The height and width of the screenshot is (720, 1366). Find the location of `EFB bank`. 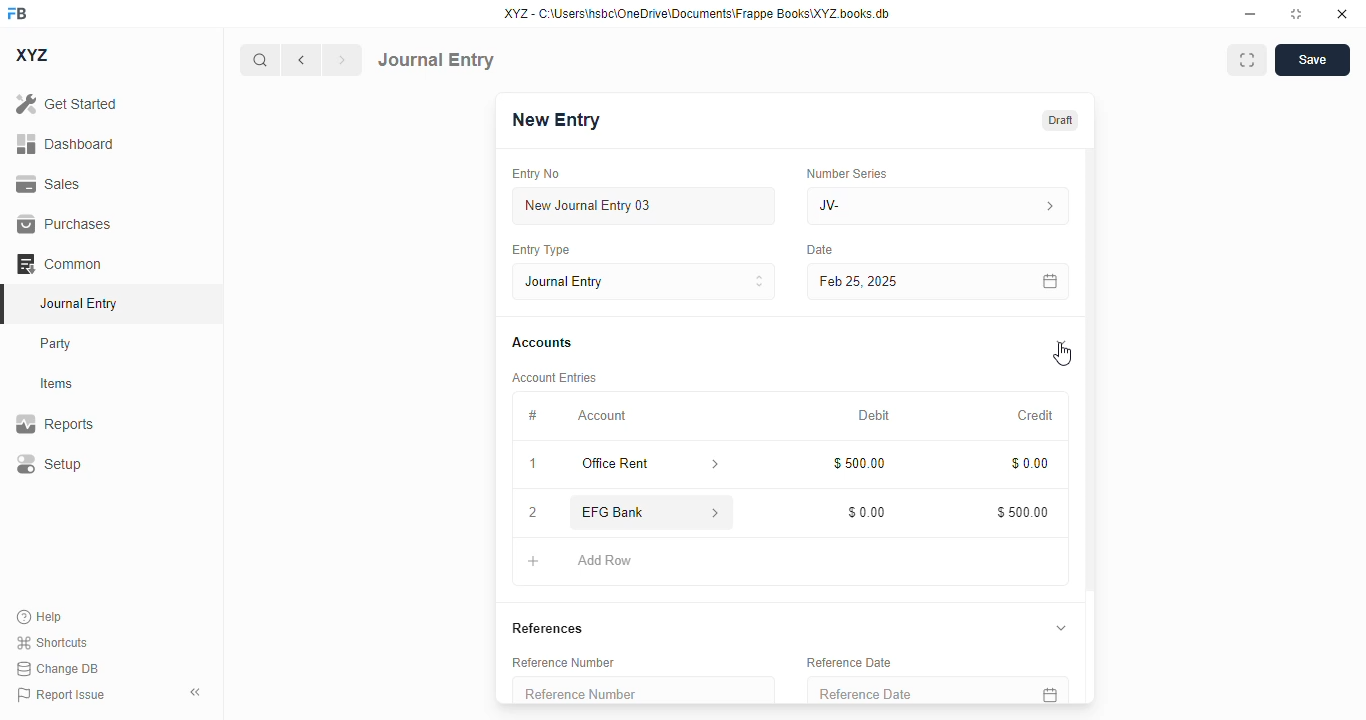

EFB bank is located at coordinates (632, 512).